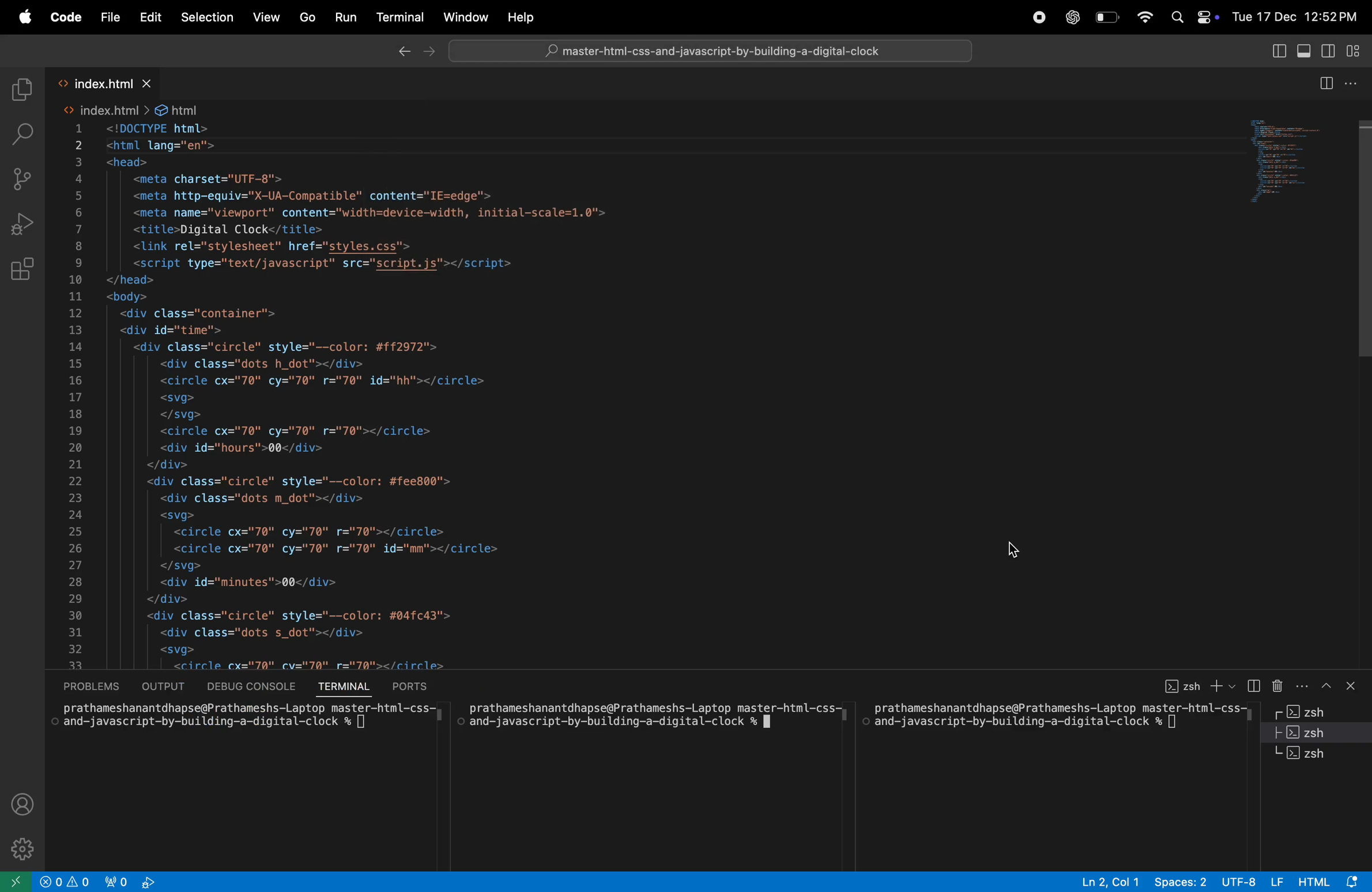 The height and width of the screenshot is (892, 1372). I want to click on code, so click(63, 17).